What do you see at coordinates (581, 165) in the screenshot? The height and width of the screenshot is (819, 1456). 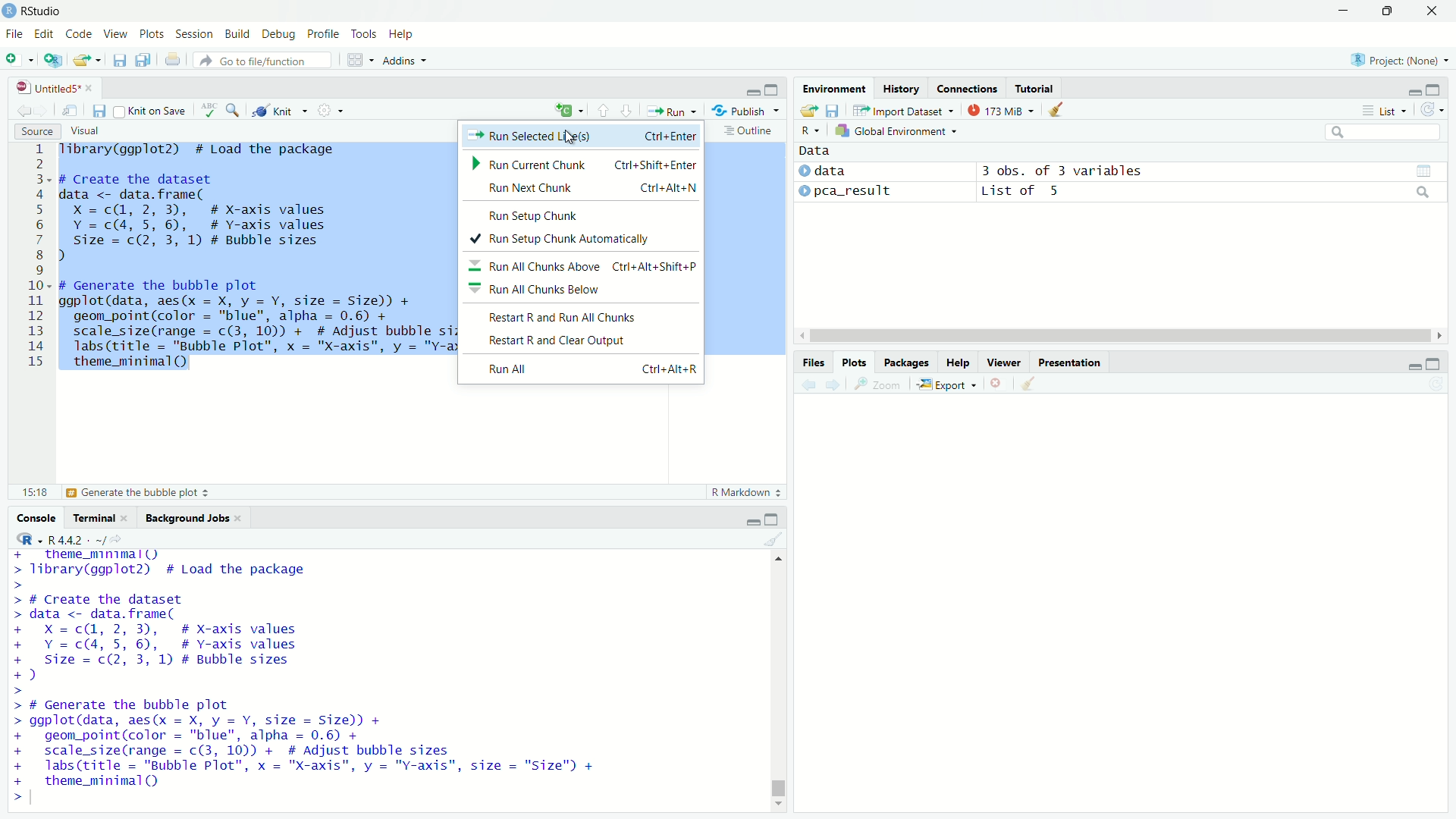 I see `run current chunk` at bounding box center [581, 165].